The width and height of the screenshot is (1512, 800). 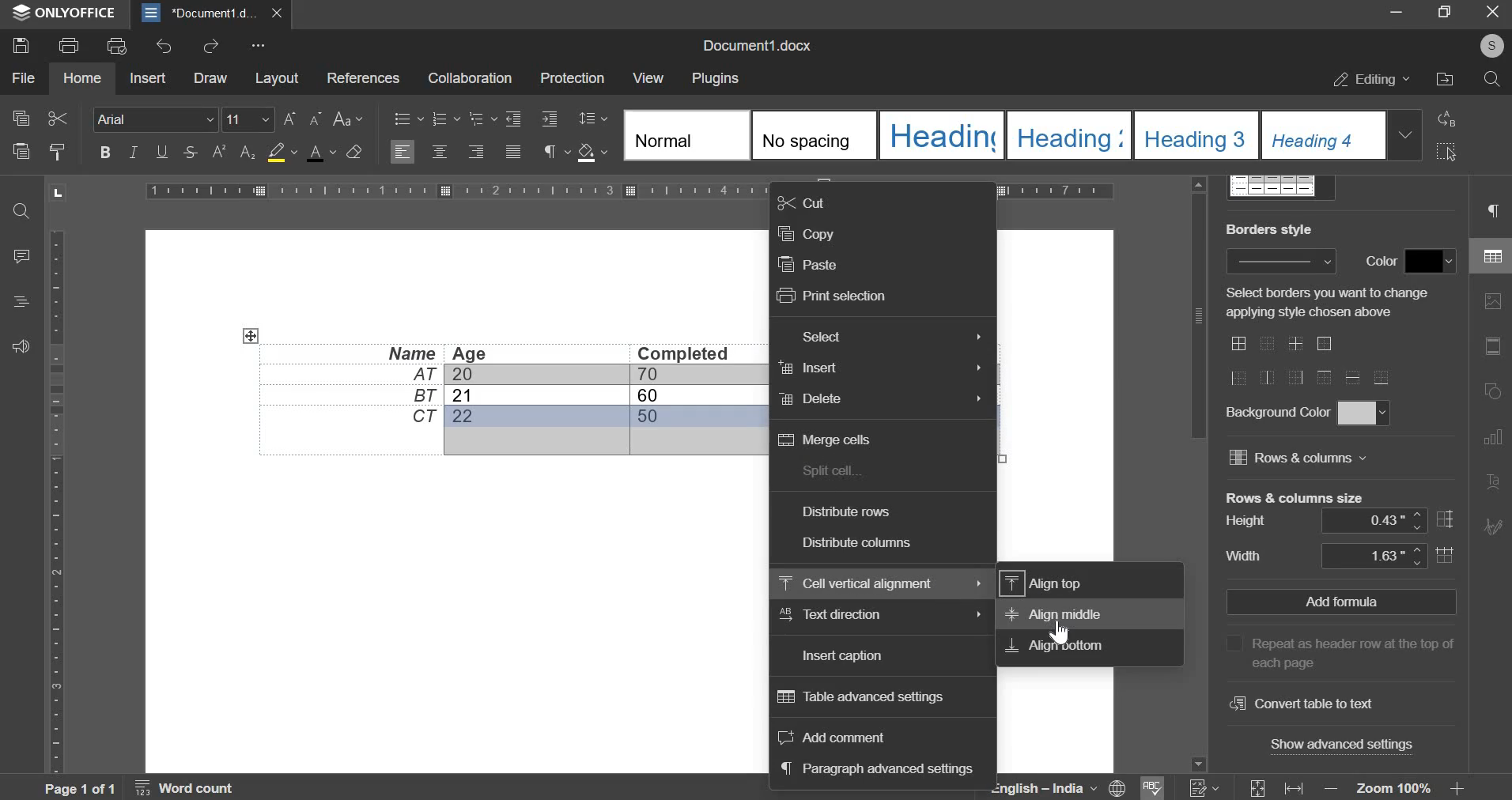 I want to click on justified, so click(x=514, y=153).